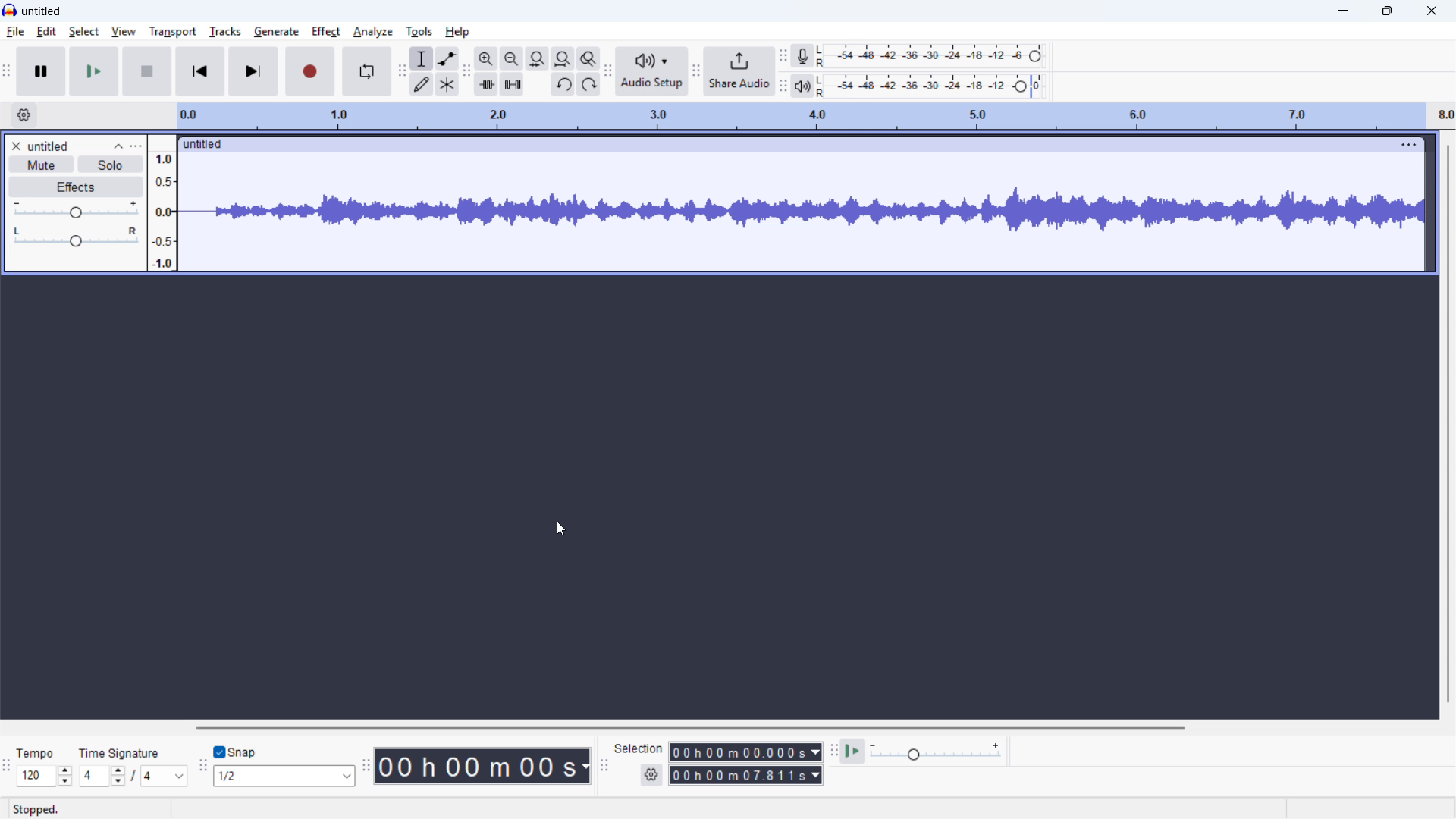 The height and width of the screenshot is (819, 1456). What do you see at coordinates (738, 71) in the screenshot?
I see `Share audio ` at bounding box center [738, 71].